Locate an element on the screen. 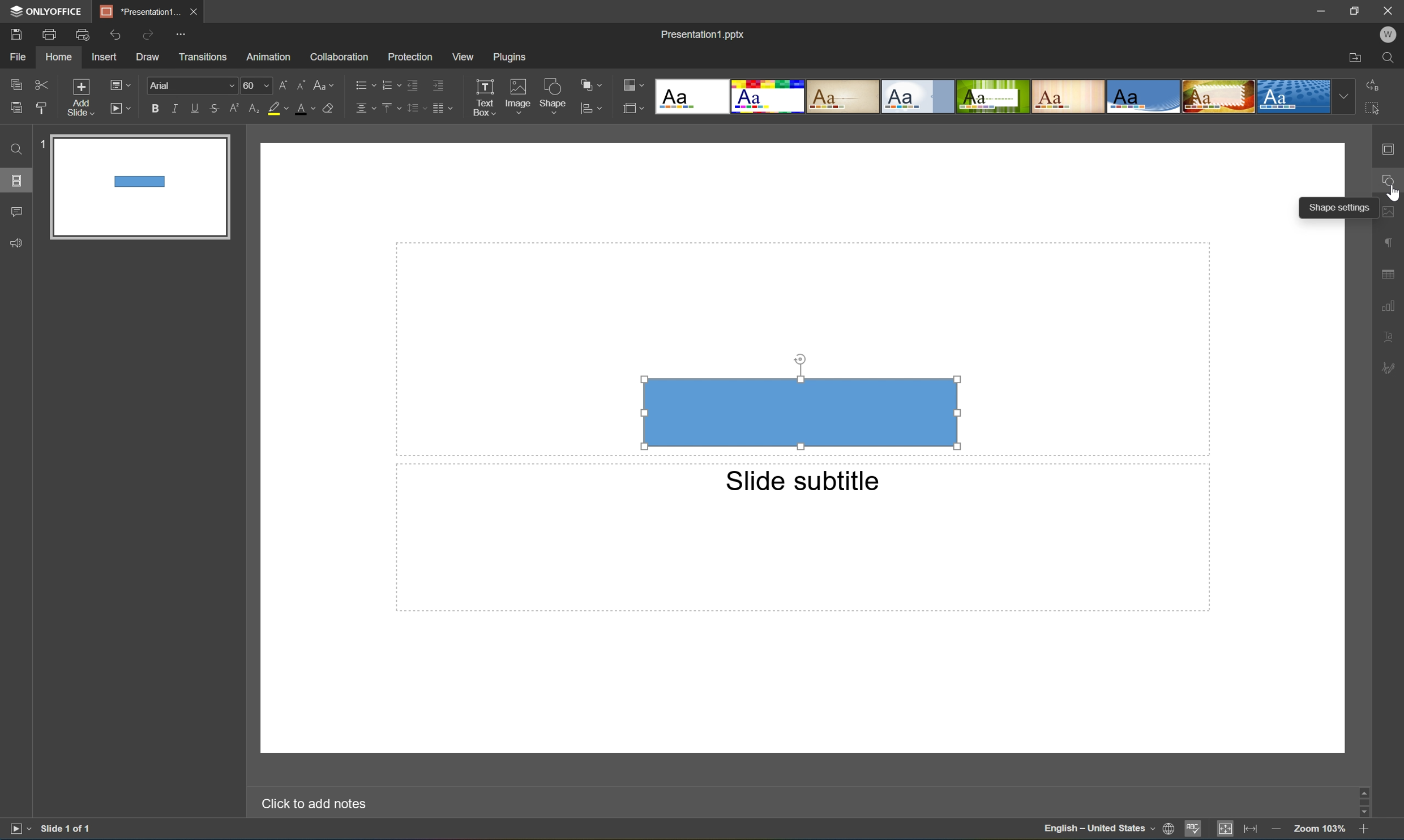 This screenshot has width=1404, height=840. slide settings is located at coordinates (1391, 149).